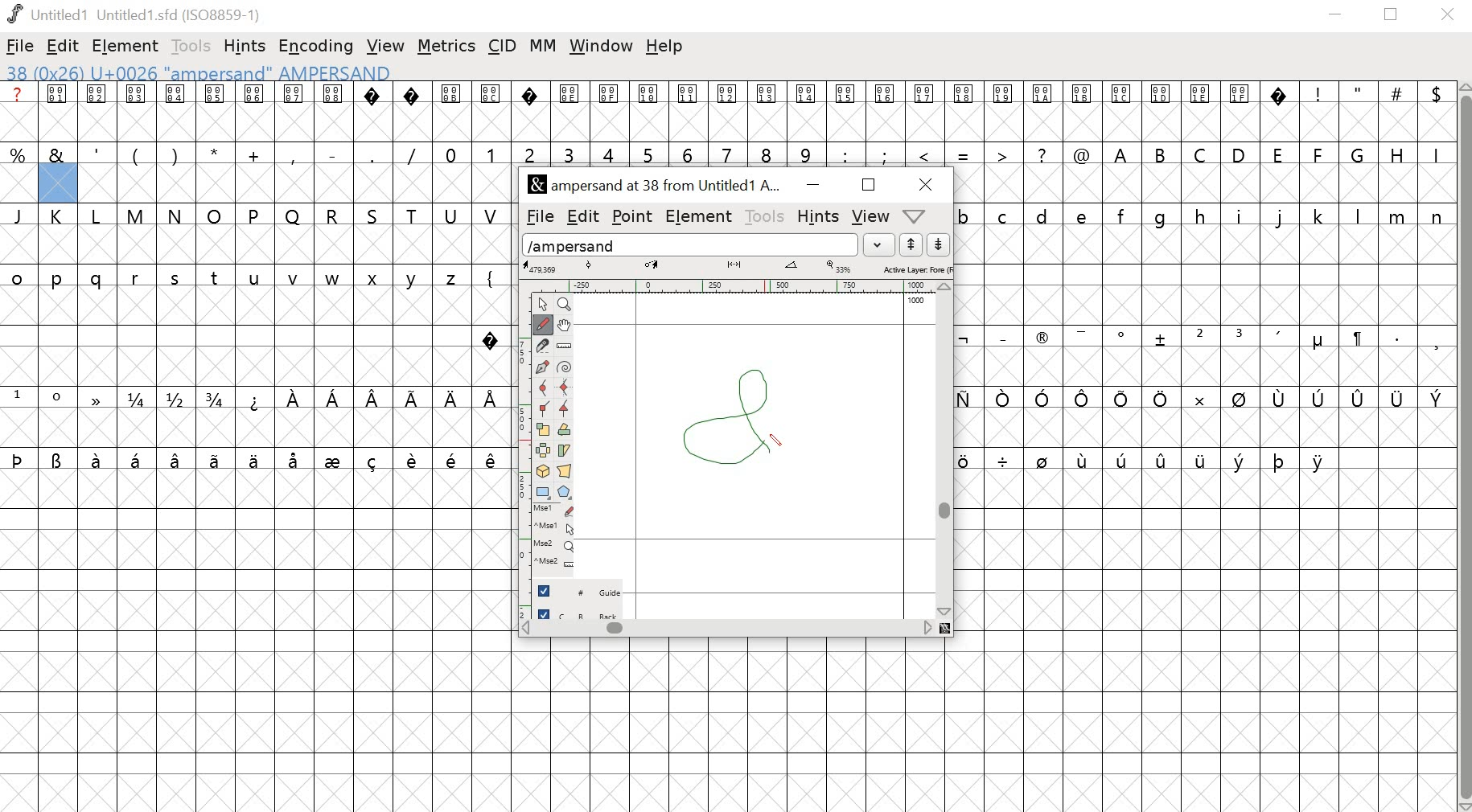 This screenshot has height=812, width=1472. What do you see at coordinates (634, 216) in the screenshot?
I see `point` at bounding box center [634, 216].